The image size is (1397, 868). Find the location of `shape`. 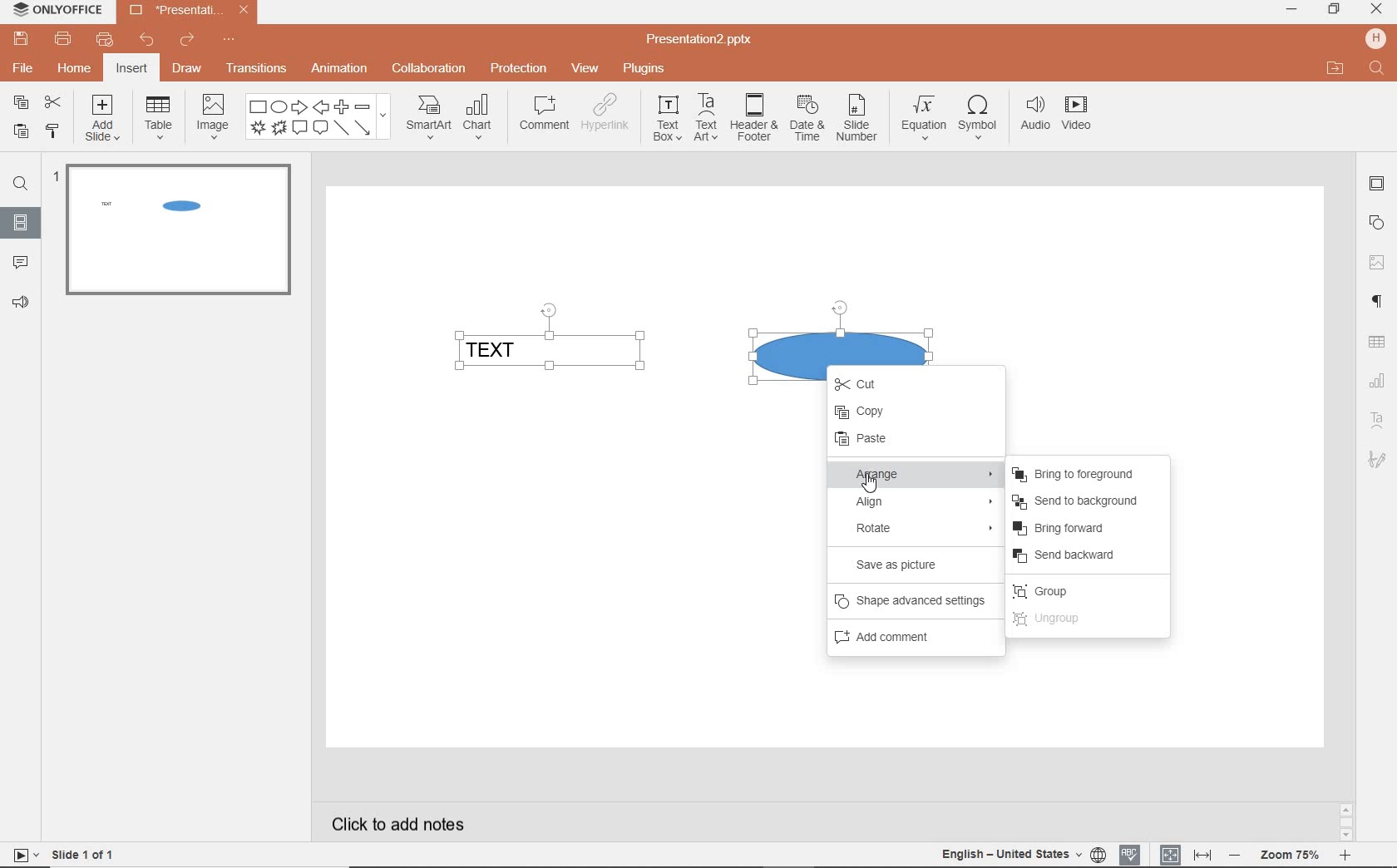

shape is located at coordinates (318, 118).